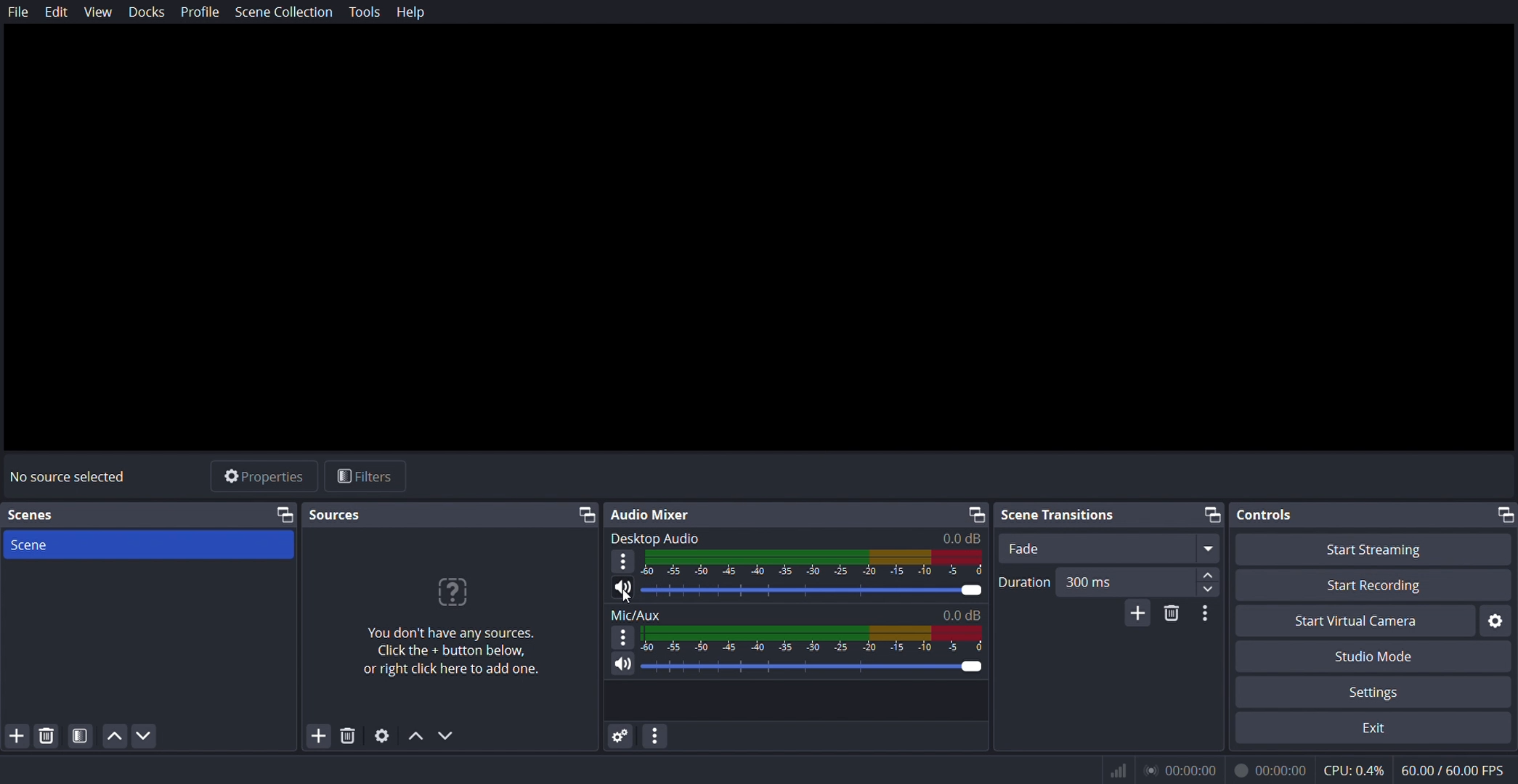 This screenshot has width=1518, height=784. What do you see at coordinates (621, 736) in the screenshot?
I see `audio settings` at bounding box center [621, 736].